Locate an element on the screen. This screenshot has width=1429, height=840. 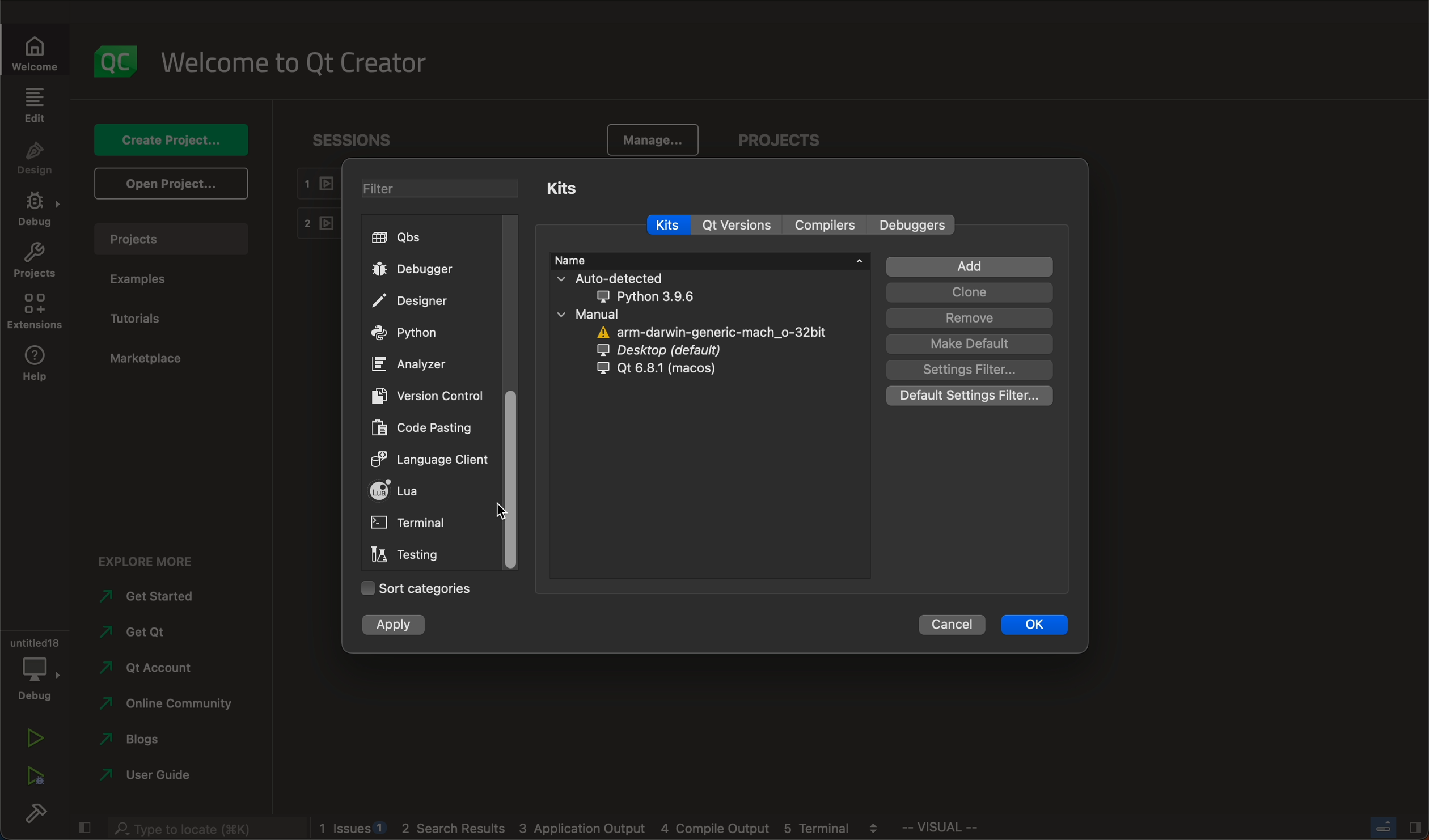
create project is located at coordinates (171, 138).